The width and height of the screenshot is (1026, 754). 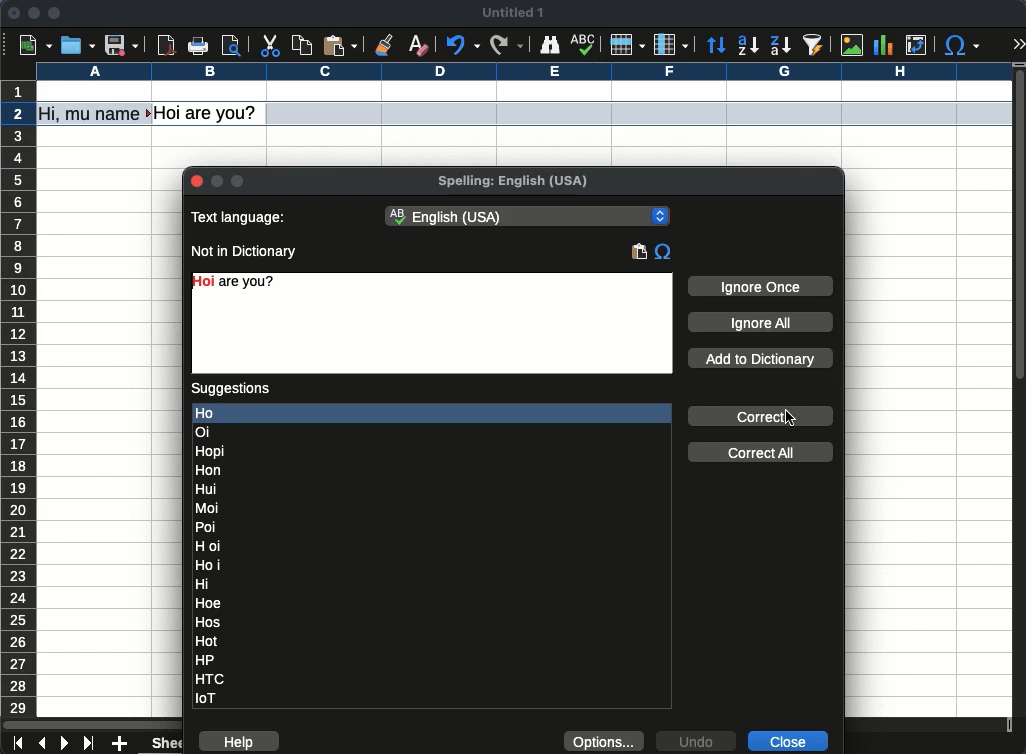 I want to click on Hoe, so click(x=210, y=603).